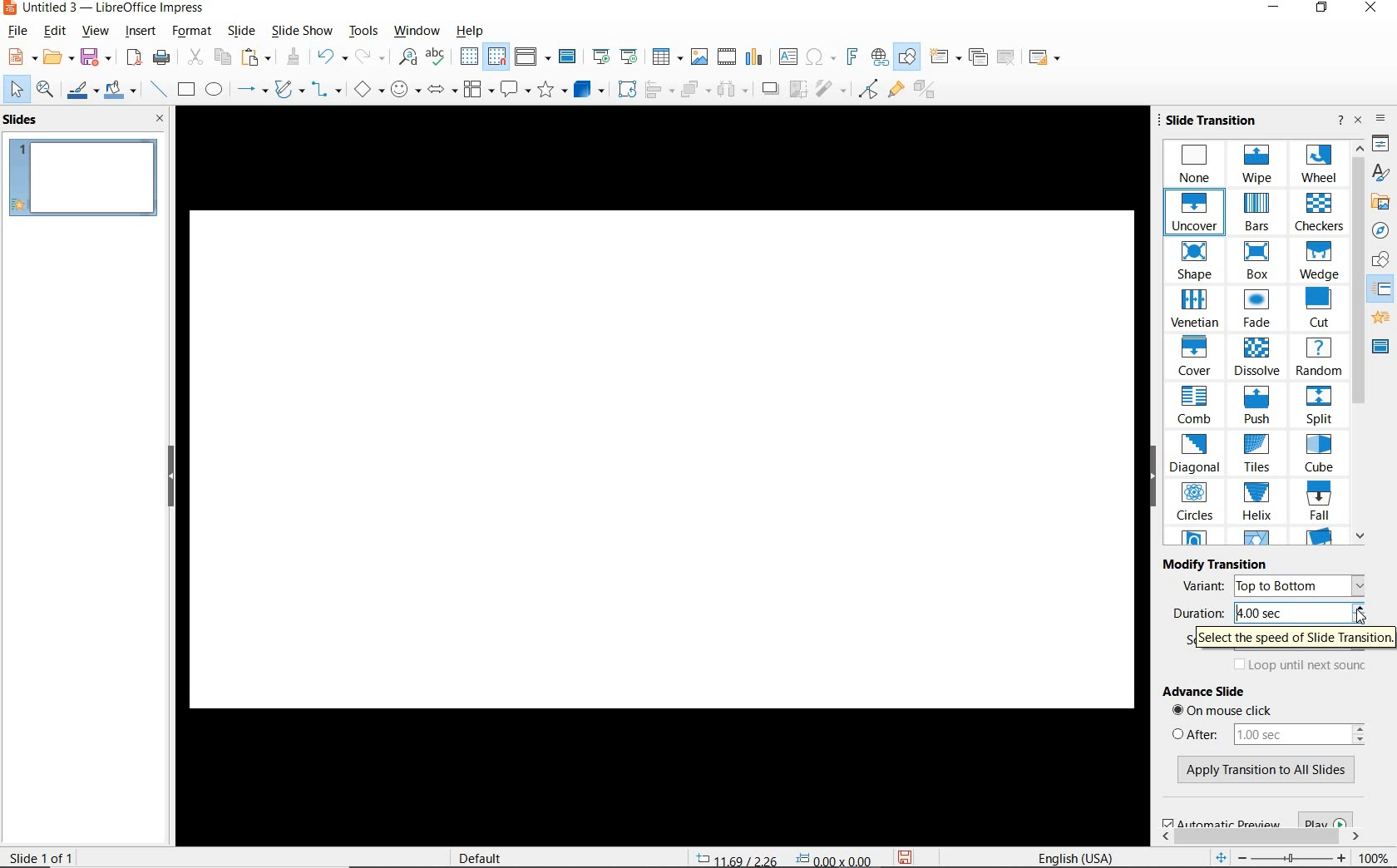  Describe the element at coordinates (945, 57) in the screenshot. I see `NEW SLIDE` at that location.